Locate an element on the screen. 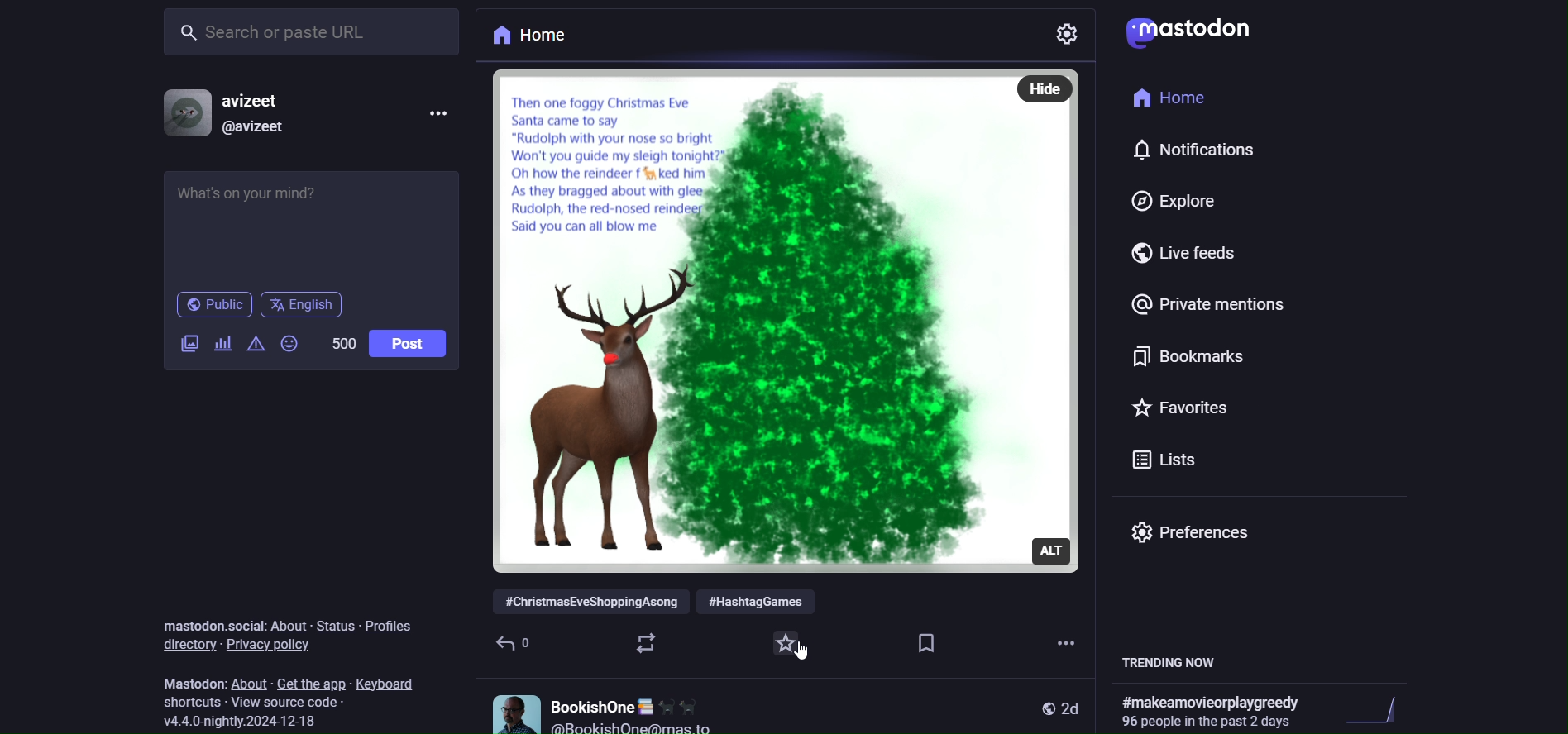  bookmark is located at coordinates (924, 640).